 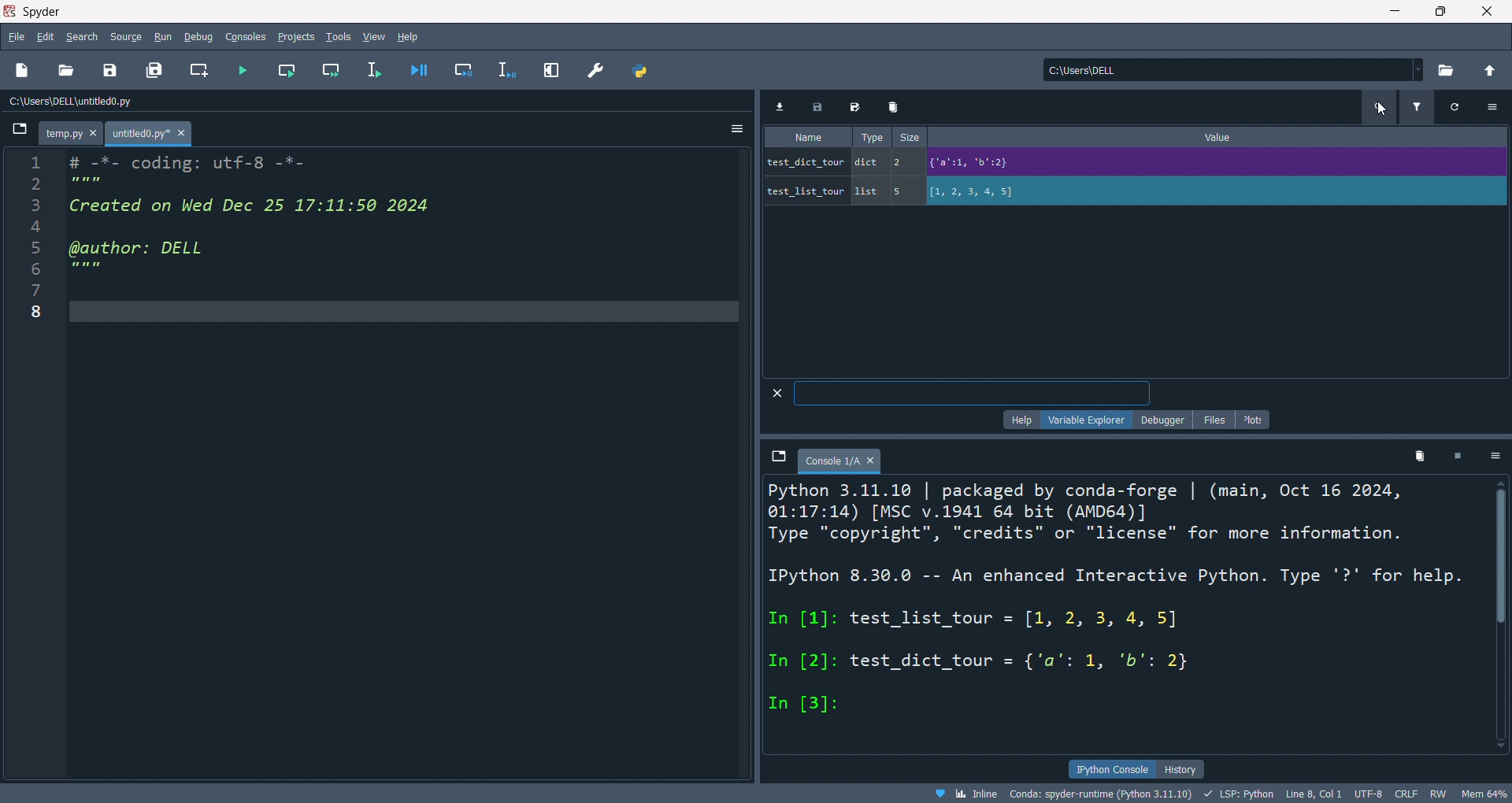 What do you see at coordinates (420, 69) in the screenshot?
I see `debug file` at bounding box center [420, 69].